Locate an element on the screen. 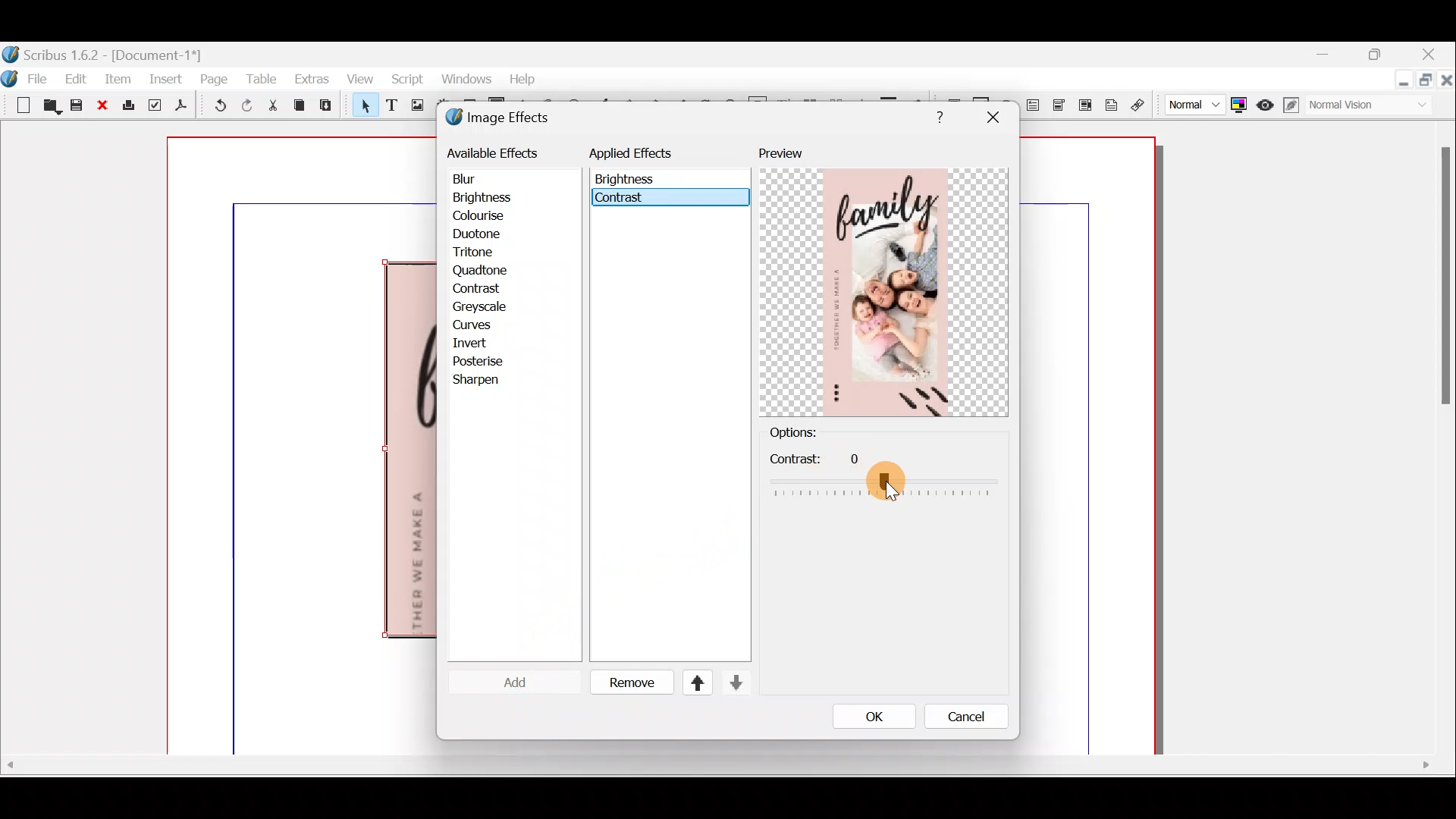  Document name is located at coordinates (104, 53).